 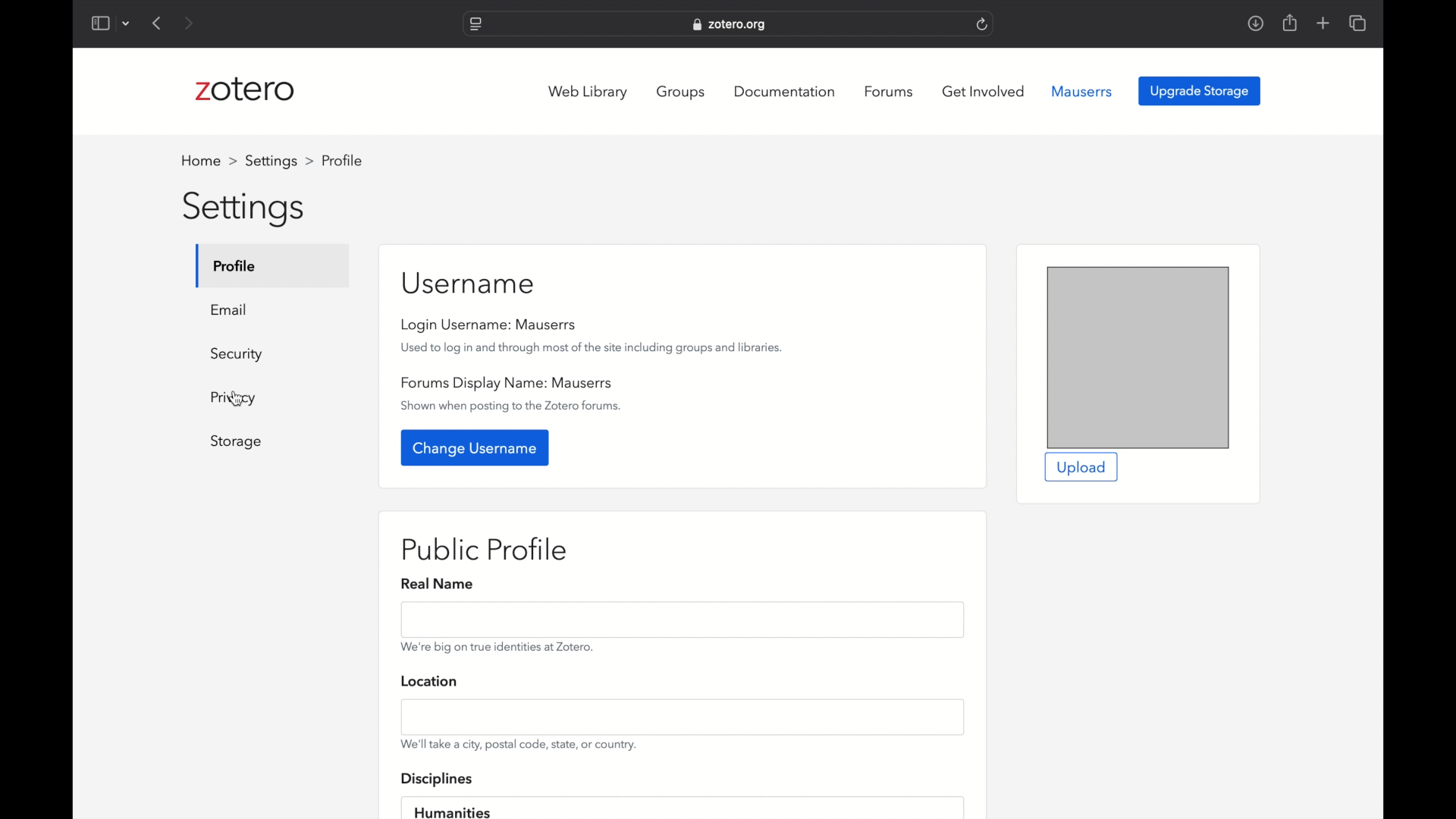 What do you see at coordinates (231, 309) in the screenshot?
I see `email` at bounding box center [231, 309].